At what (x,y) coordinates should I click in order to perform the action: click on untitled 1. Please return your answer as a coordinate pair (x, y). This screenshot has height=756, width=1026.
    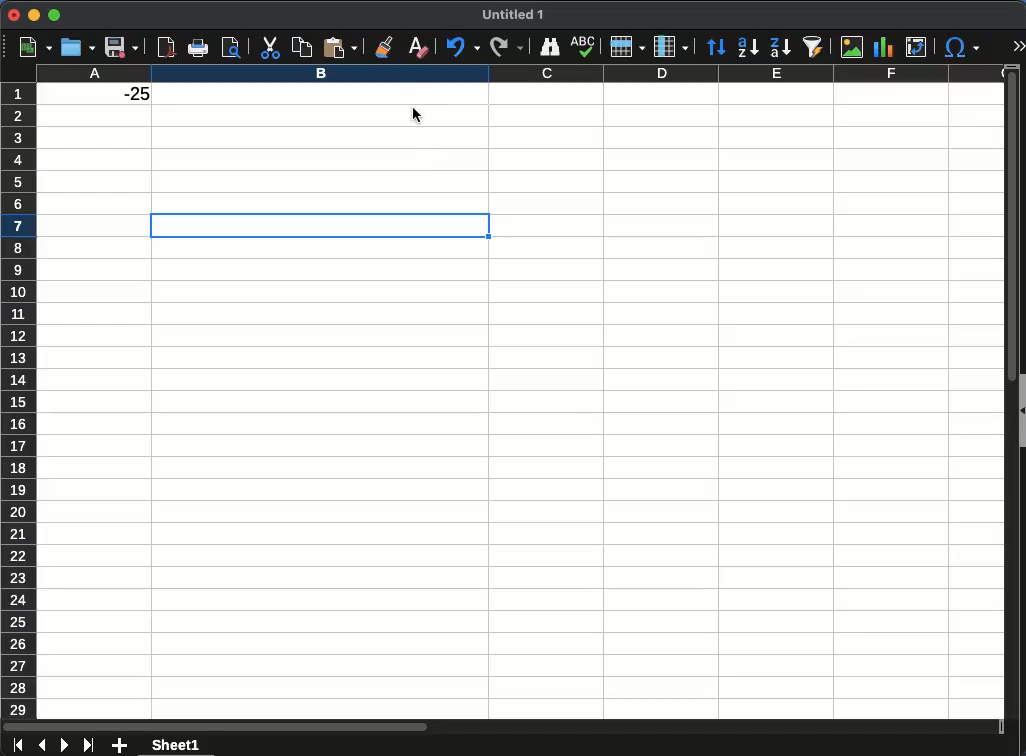
    Looking at the image, I should click on (512, 15).